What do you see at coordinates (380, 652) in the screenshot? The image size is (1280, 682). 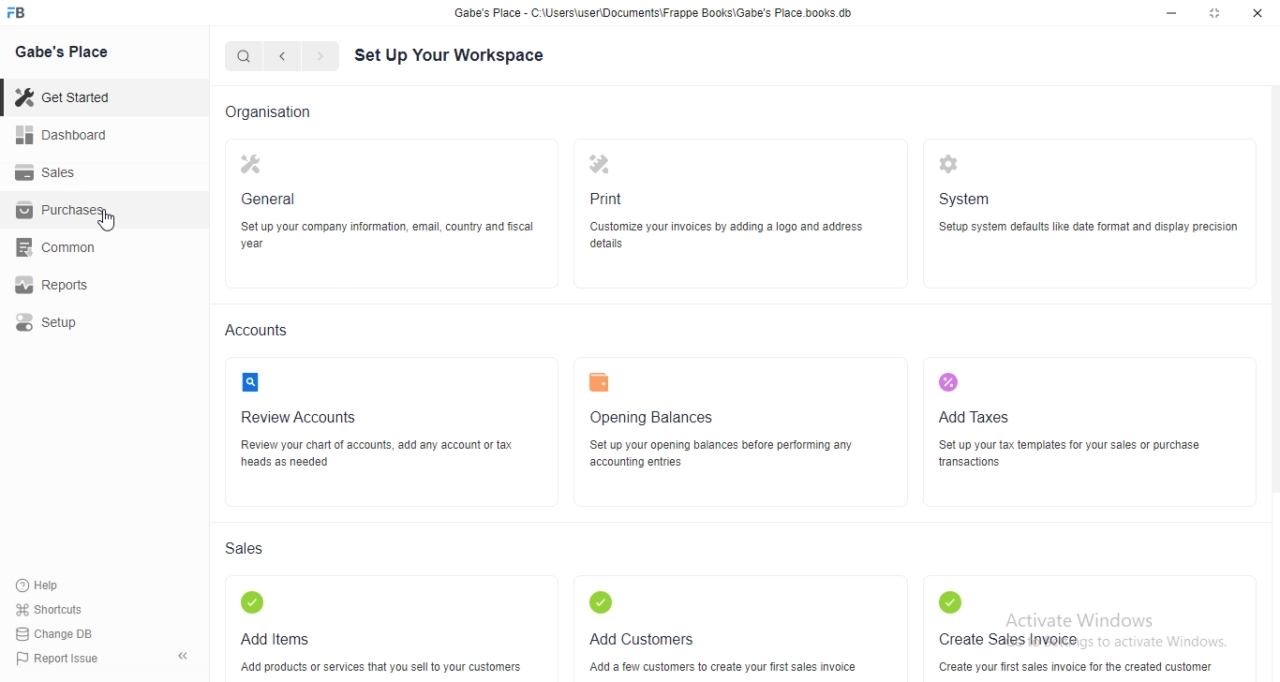 I see `Add Items Add products or services that you sell to your customers` at bounding box center [380, 652].